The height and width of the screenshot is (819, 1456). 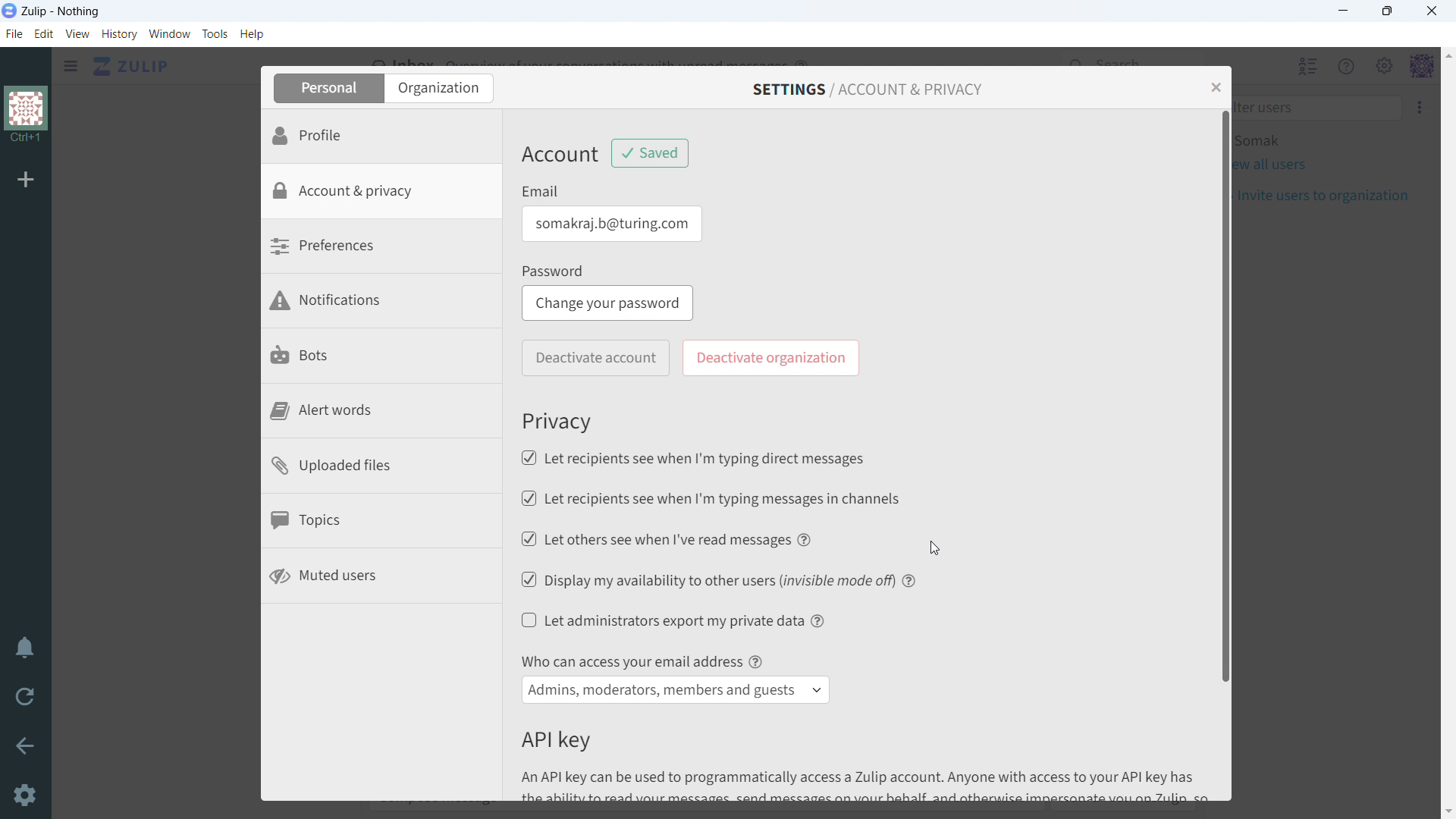 What do you see at coordinates (1386, 11) in the screenshot?
I see `maximize` at bounding box center [1386, 11].